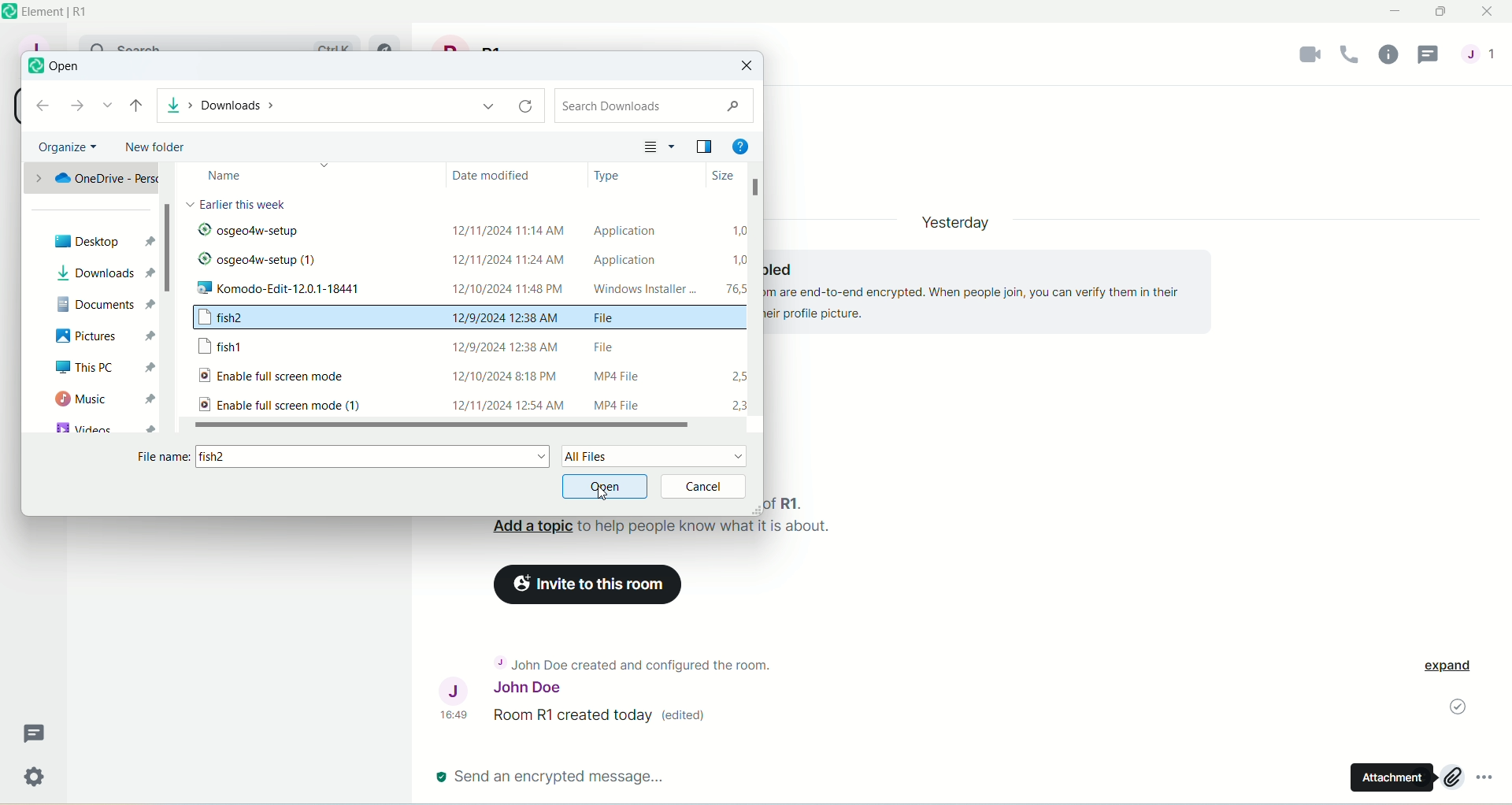 Image resolution: width=1512 pixels, height=805 pixels. What do you see at coordinates (154, 148) in the screenshot?
I see `new folder` at bounding box center [154, 148].